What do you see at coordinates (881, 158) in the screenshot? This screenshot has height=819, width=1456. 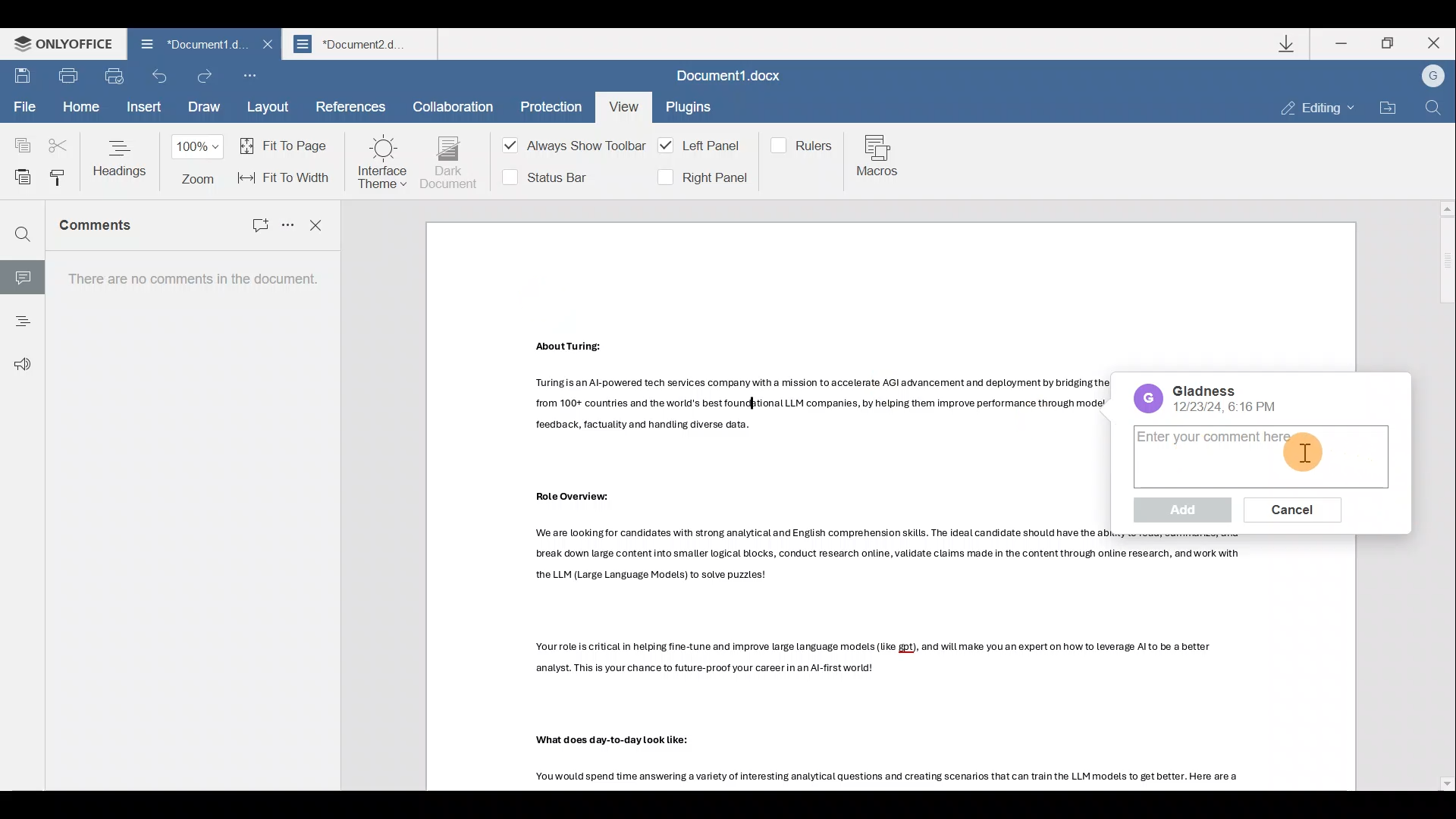 I see `Macros` at bounding box center [881, 158].